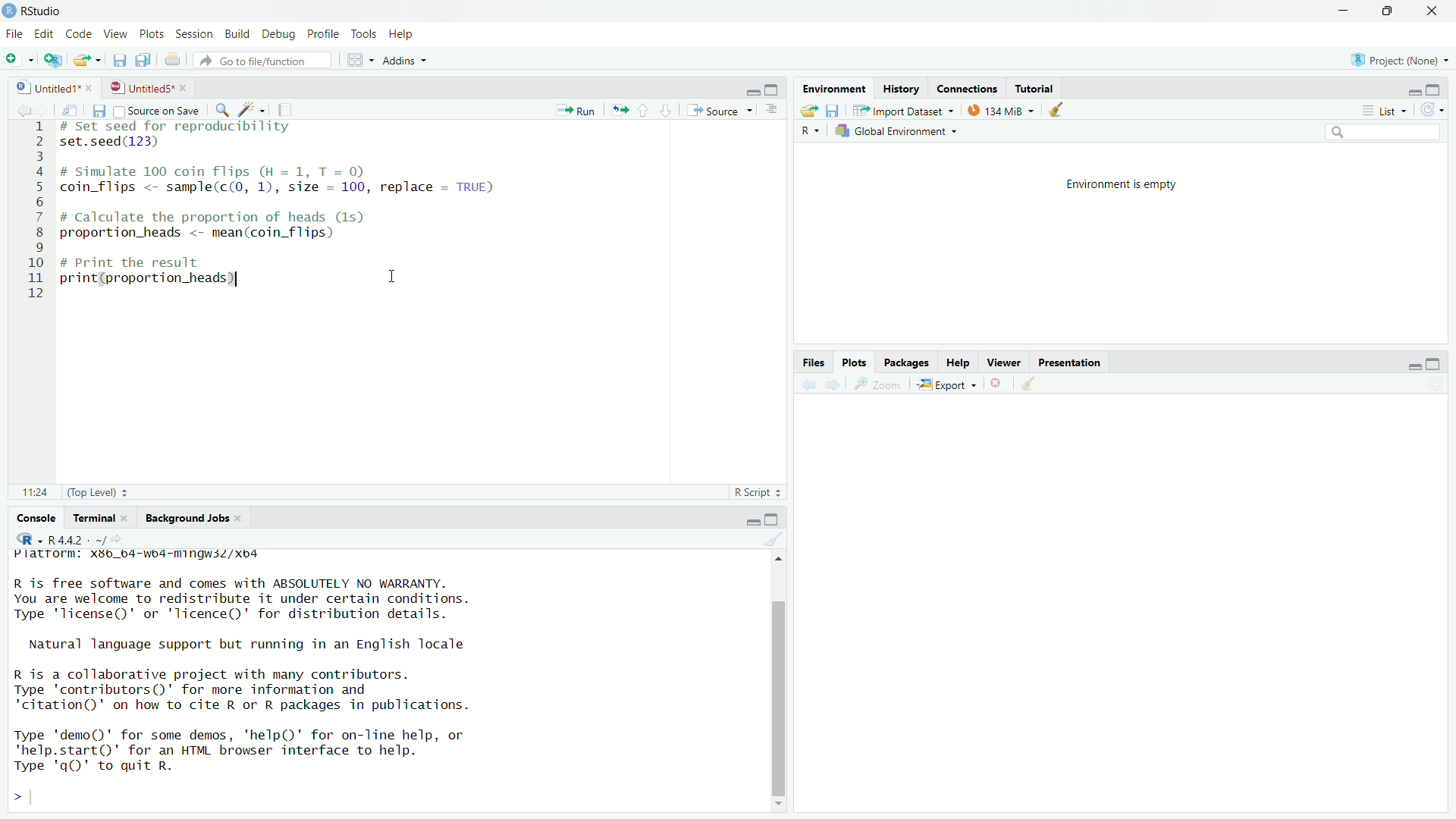 The image size is (1456, 819). Describe the element at coordinates (263, 60) in the screenshot. I see `go to file/function` at that location.